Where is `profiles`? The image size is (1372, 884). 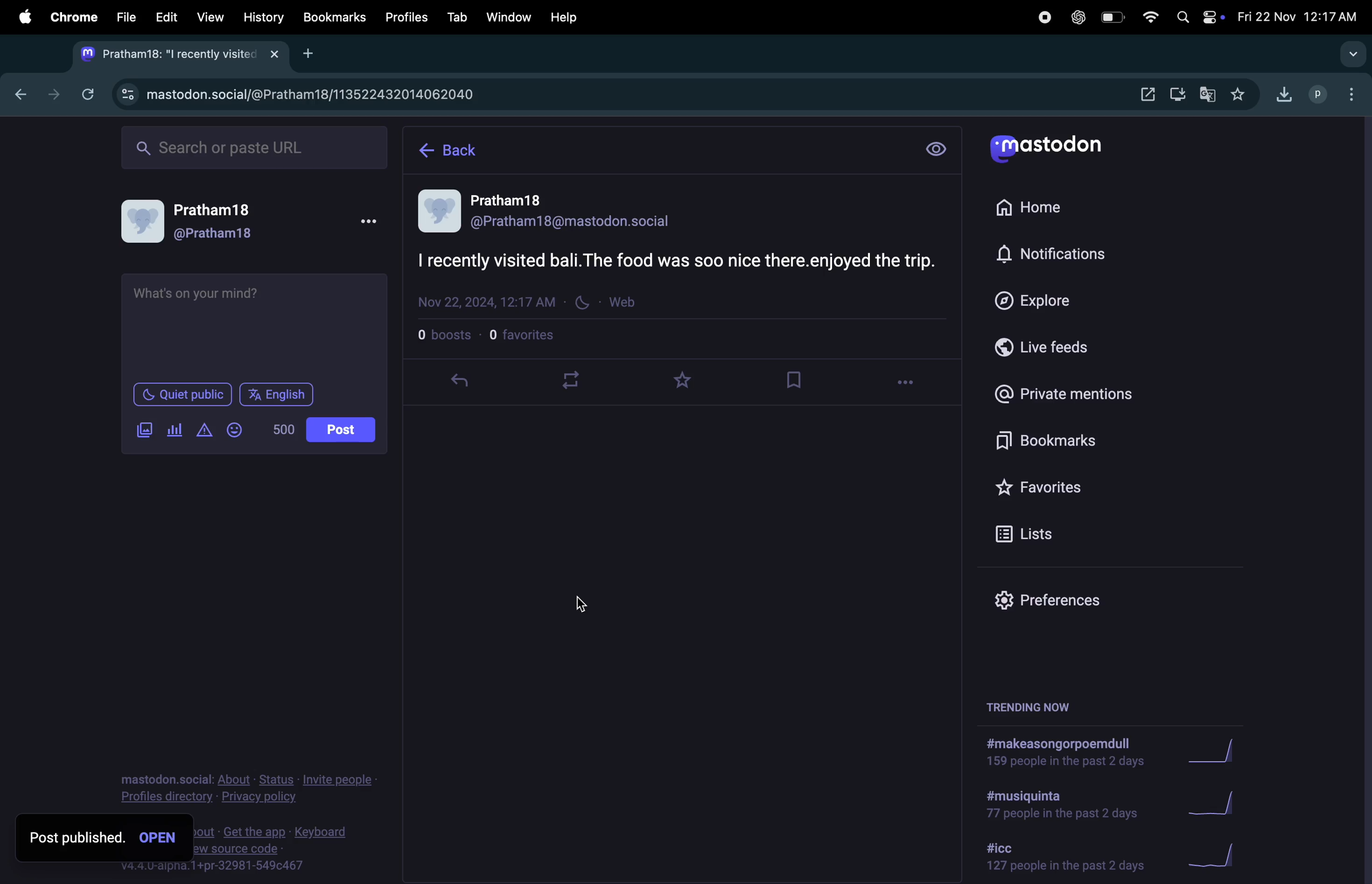 profiles is located at coordinates (406, 18).